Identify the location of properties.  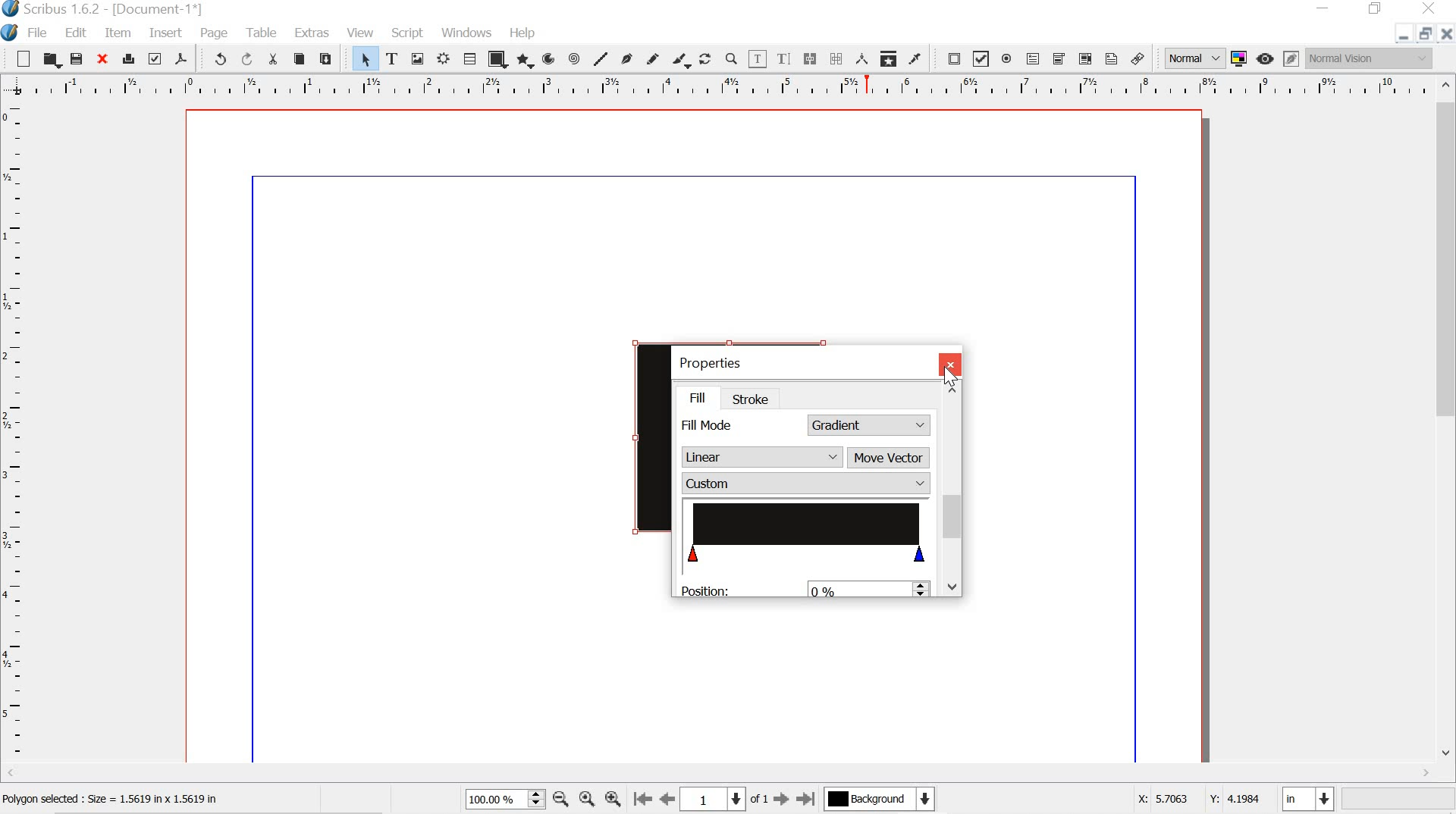
(716, 361).